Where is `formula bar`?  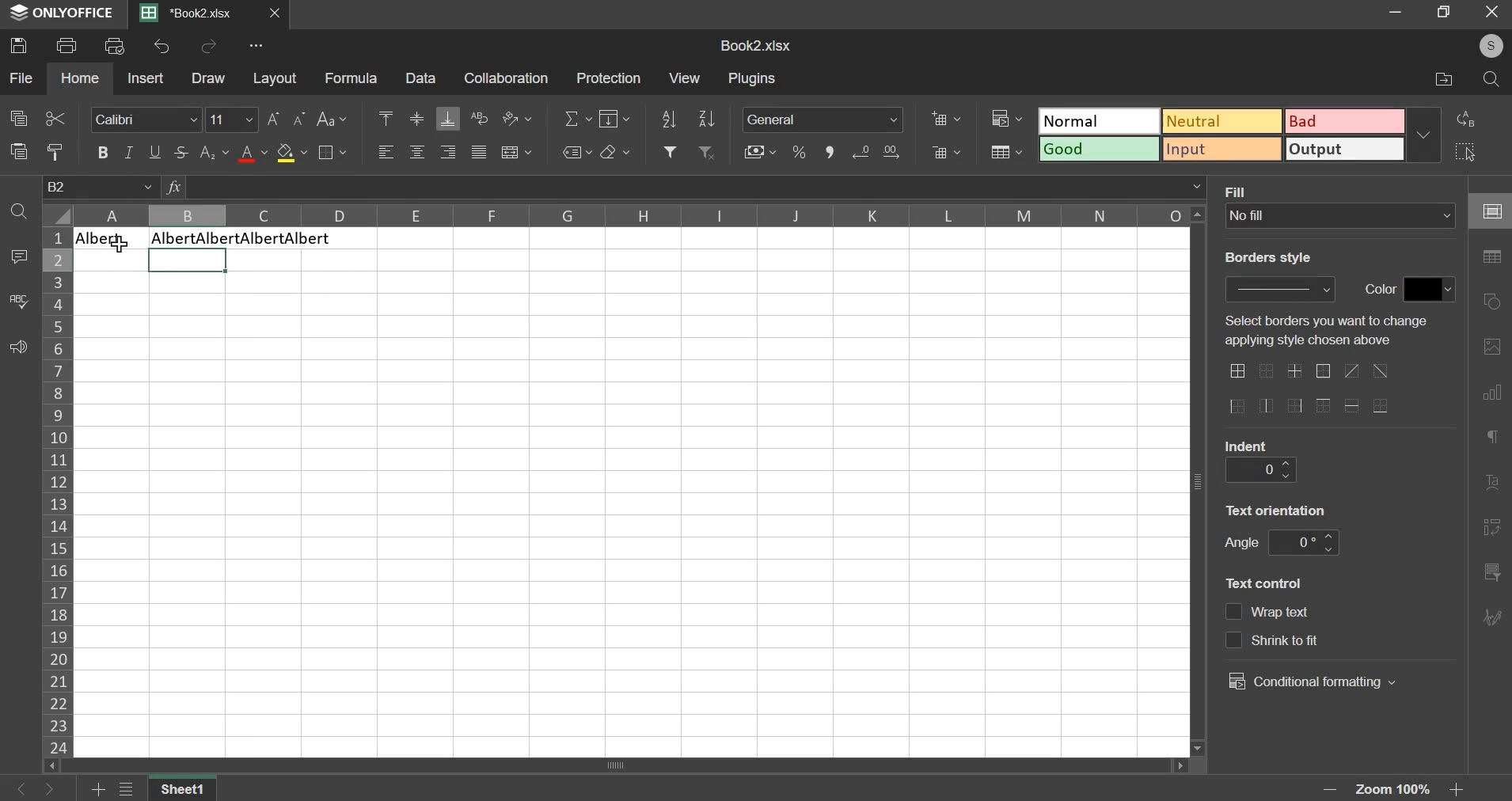 formula bar is located at coordinates (698, 188).